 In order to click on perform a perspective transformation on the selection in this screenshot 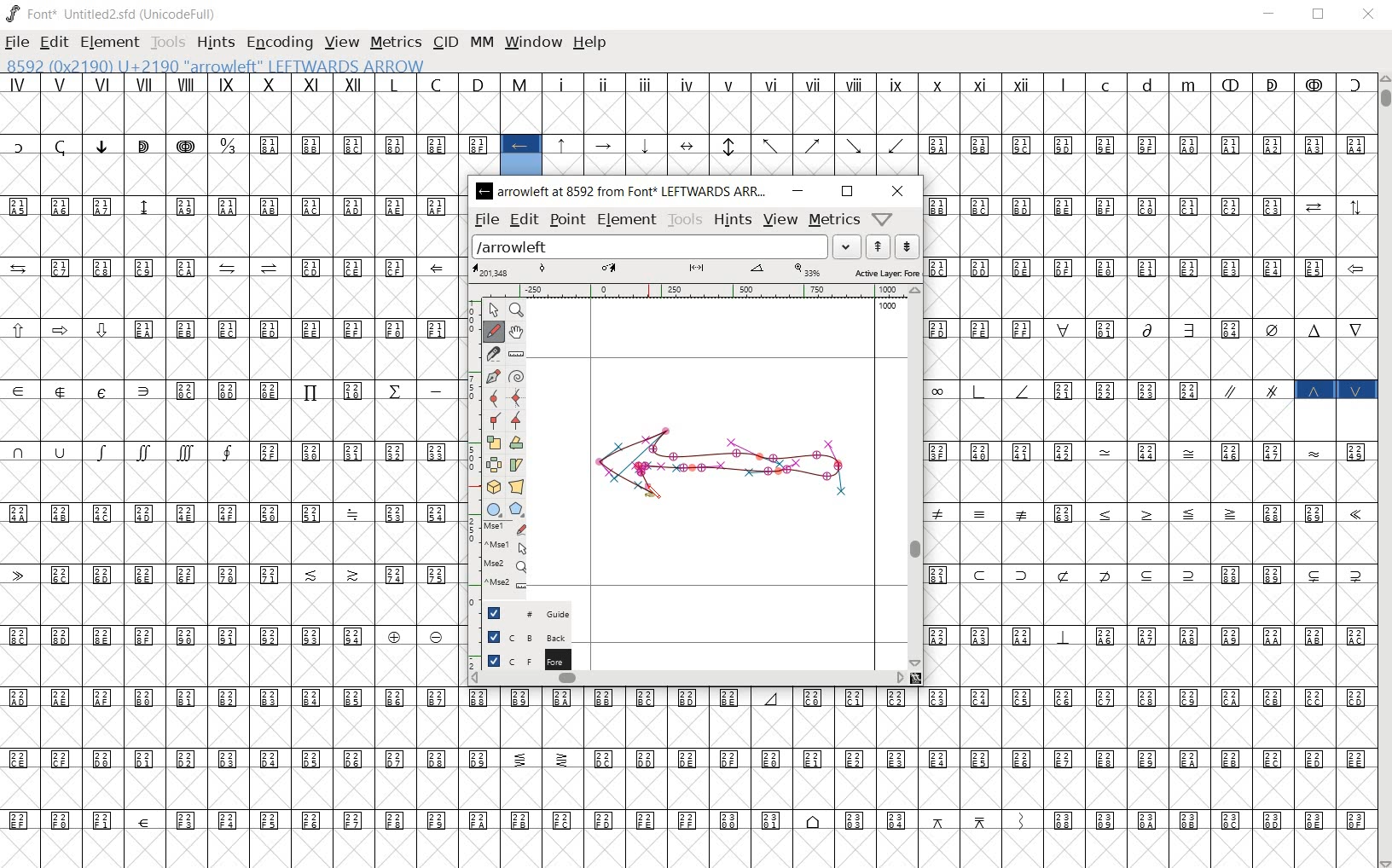, I will do `click(515, 485)`.